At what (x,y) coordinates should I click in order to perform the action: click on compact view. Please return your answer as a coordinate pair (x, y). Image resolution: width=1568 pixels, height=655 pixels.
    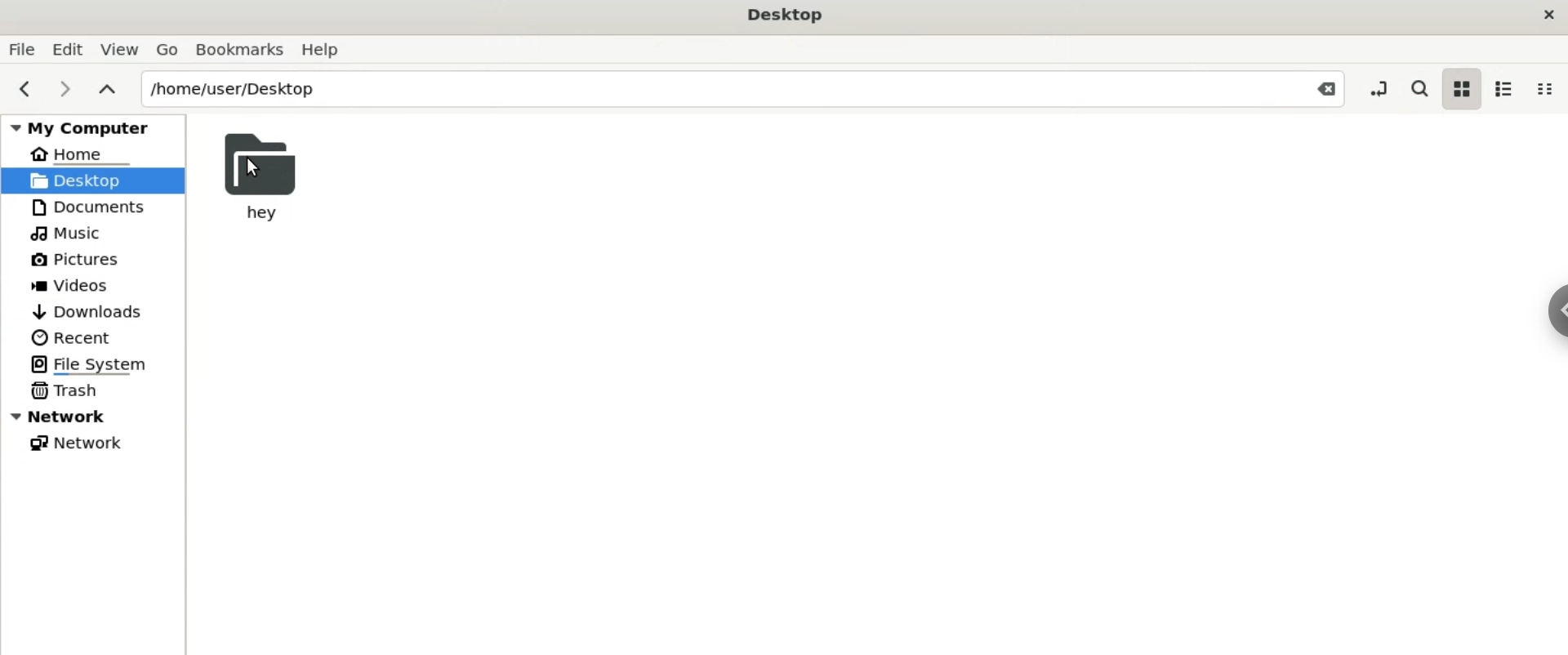
    Looking at the image, I should click on (1544, 89).